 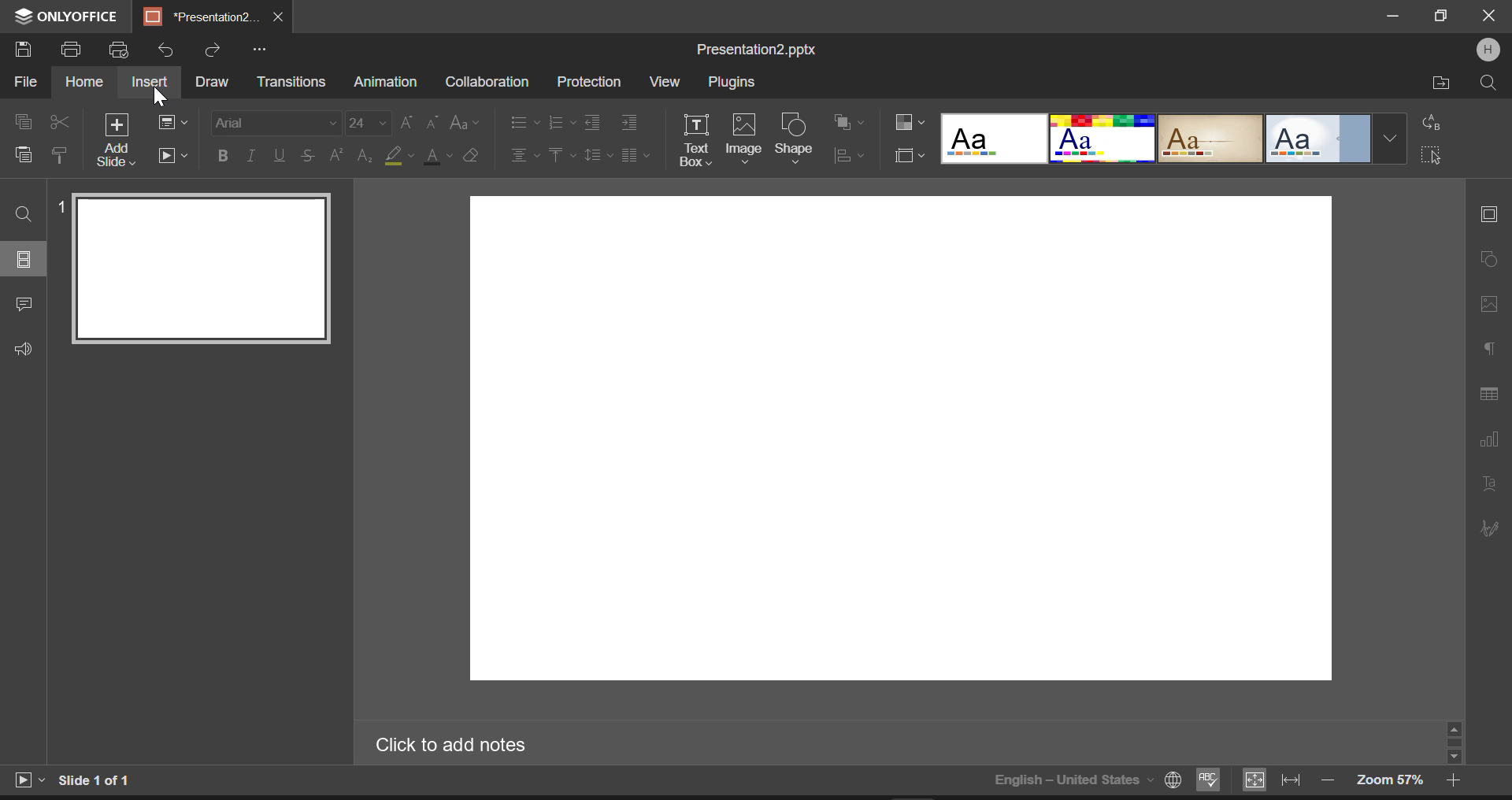 What do you see at coordinates (743, 140) in the screenshot?
I see `Image` at bounding box center [743, 140].